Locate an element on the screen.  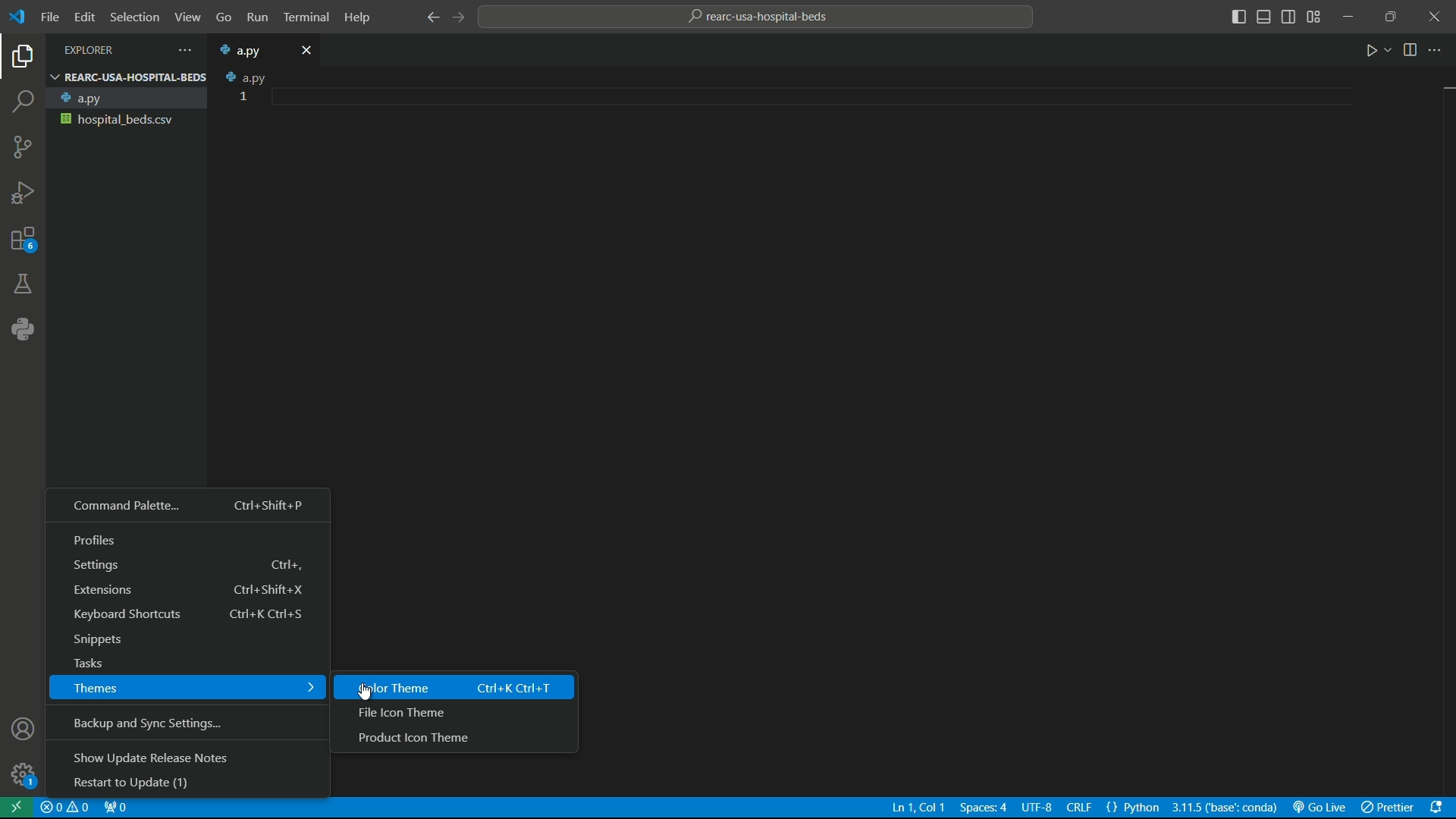
more actions is located at coordinates (181, 50).